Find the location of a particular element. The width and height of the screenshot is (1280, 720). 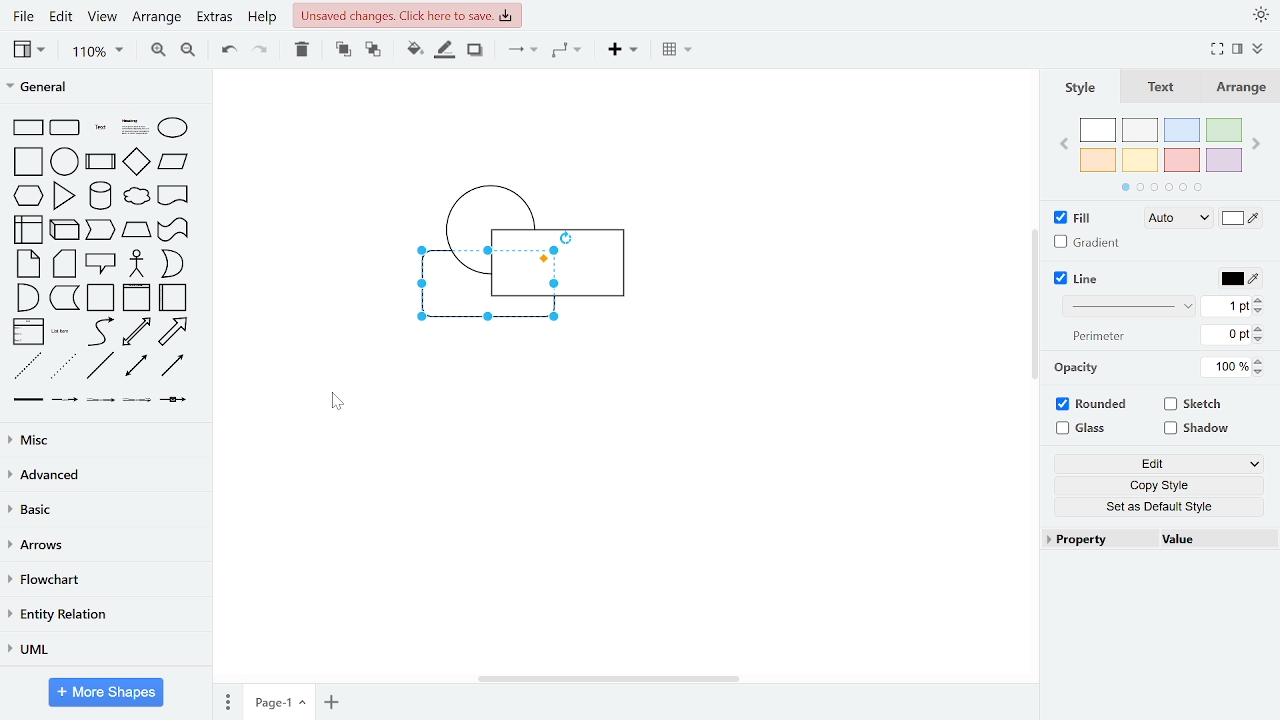

undo is located at coordinates (228, 53).